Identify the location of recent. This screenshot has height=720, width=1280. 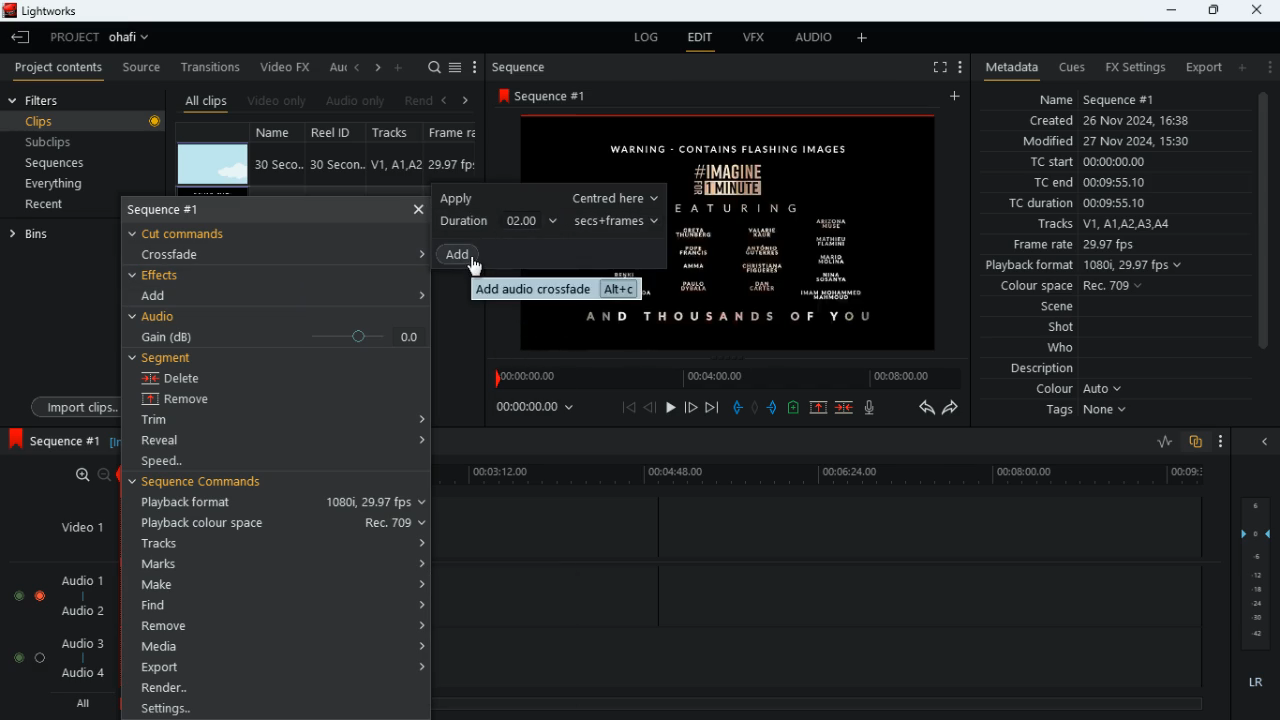
(61, 206).